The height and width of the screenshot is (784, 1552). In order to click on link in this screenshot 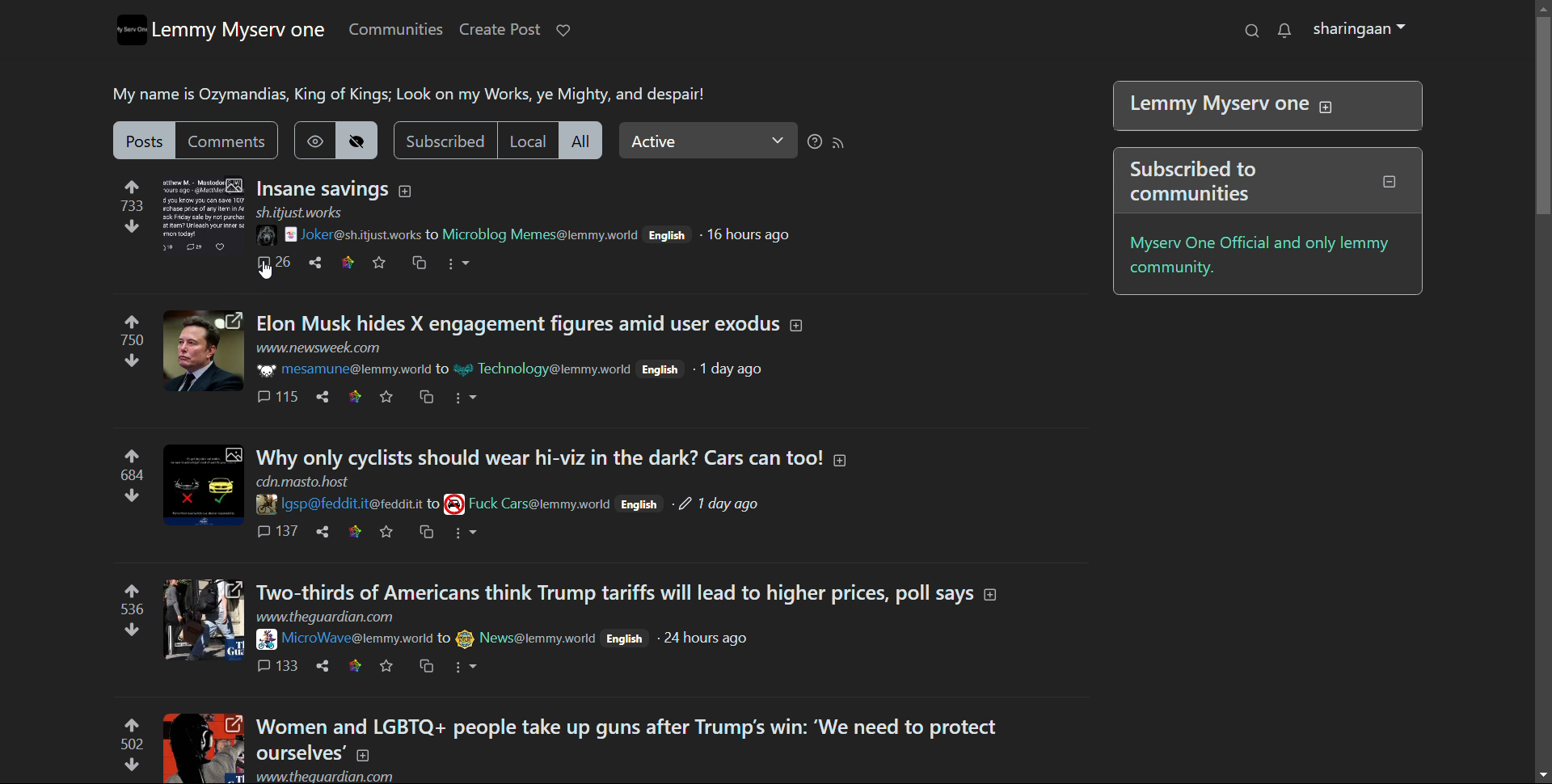, I will do `click(354, 533)`.